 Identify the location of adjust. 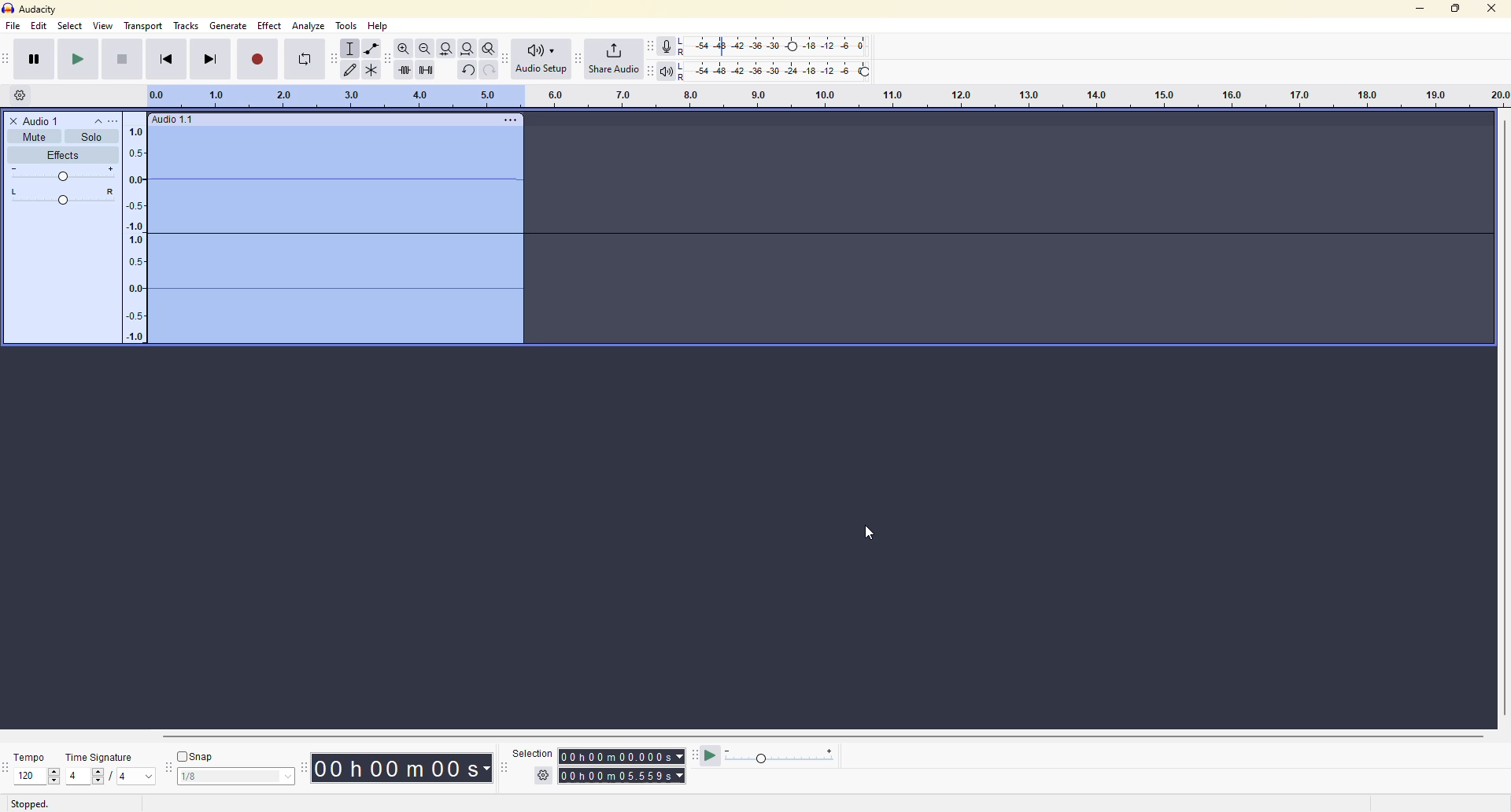
(65, 197).